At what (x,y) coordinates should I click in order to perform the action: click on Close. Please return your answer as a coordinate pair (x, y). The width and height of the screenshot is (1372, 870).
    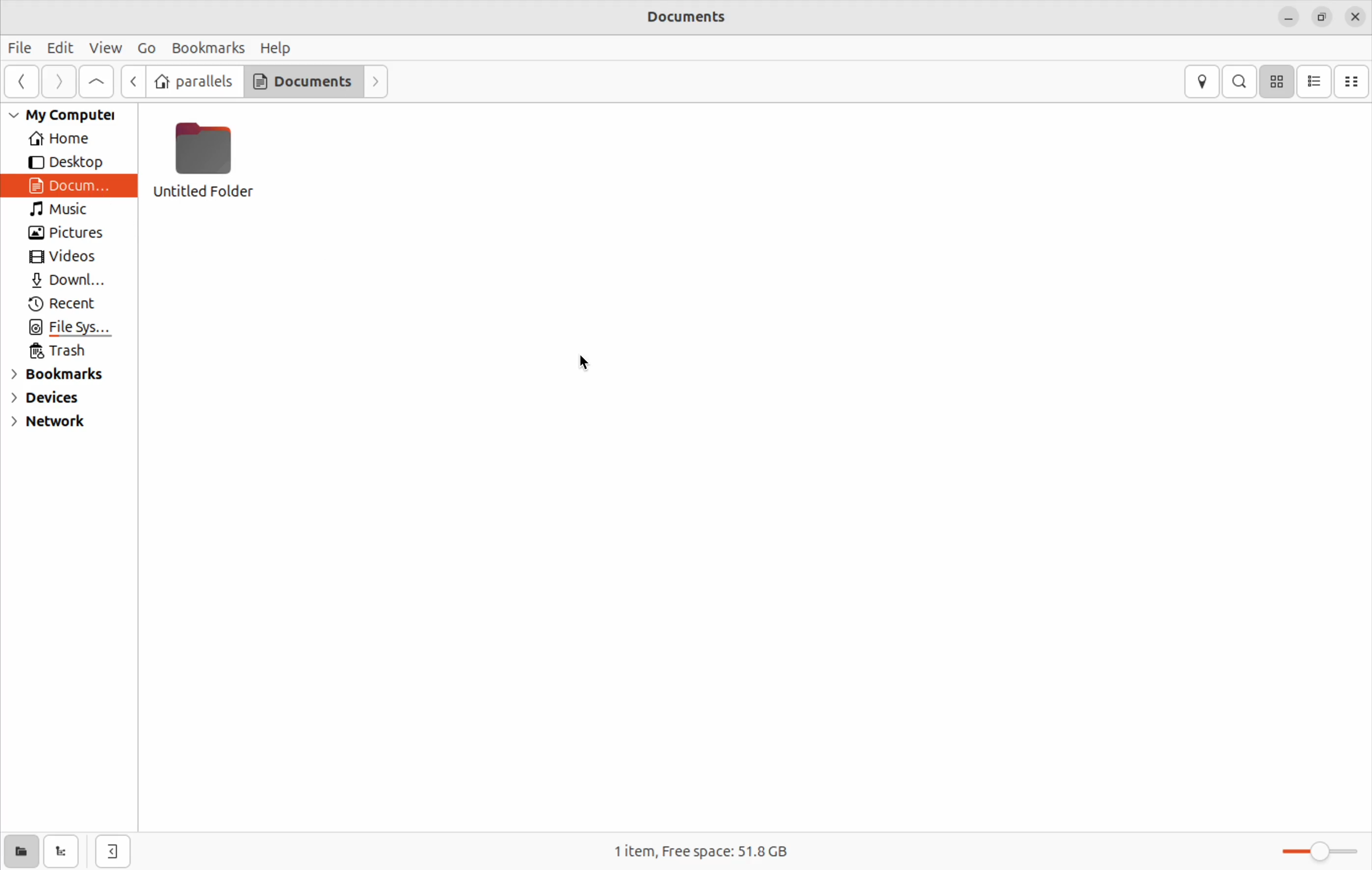
    Looking at the image, I should click on (1357, 15).